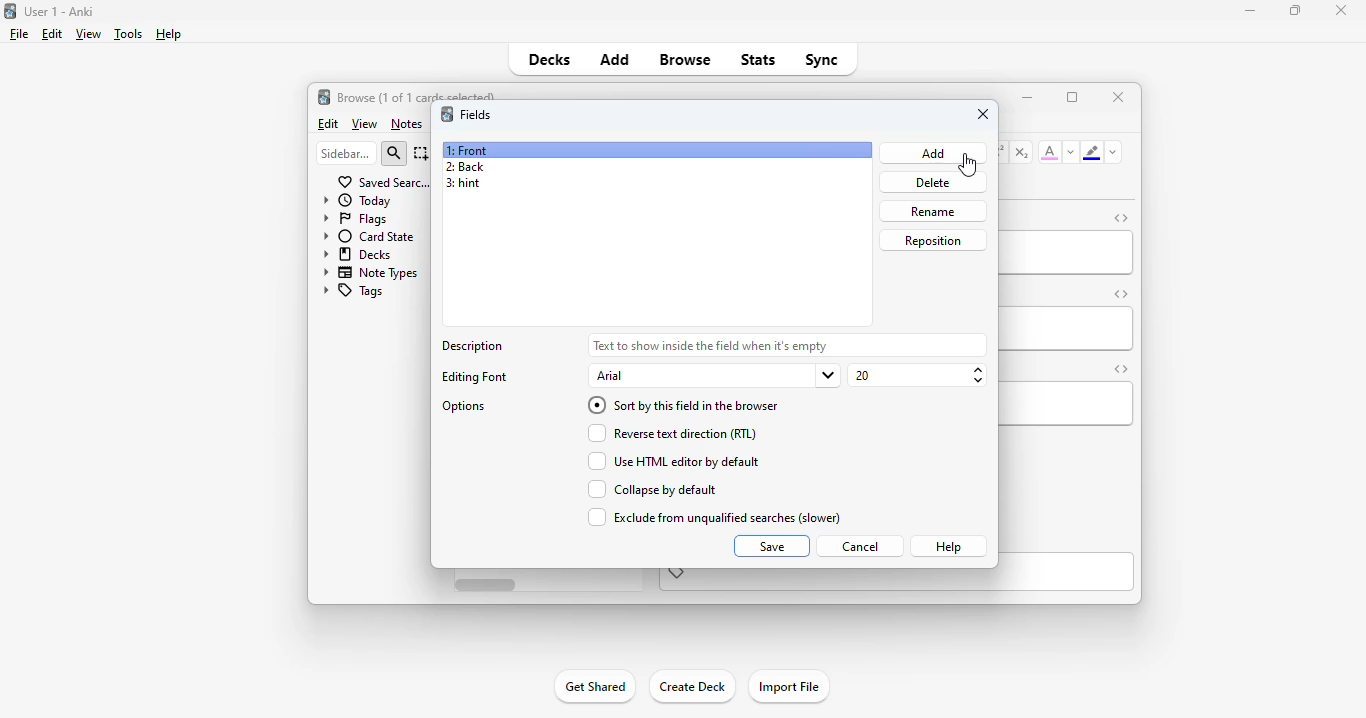 The height and width of the screenshot is (718, 1366). I want to click on add, so click(615, 58).